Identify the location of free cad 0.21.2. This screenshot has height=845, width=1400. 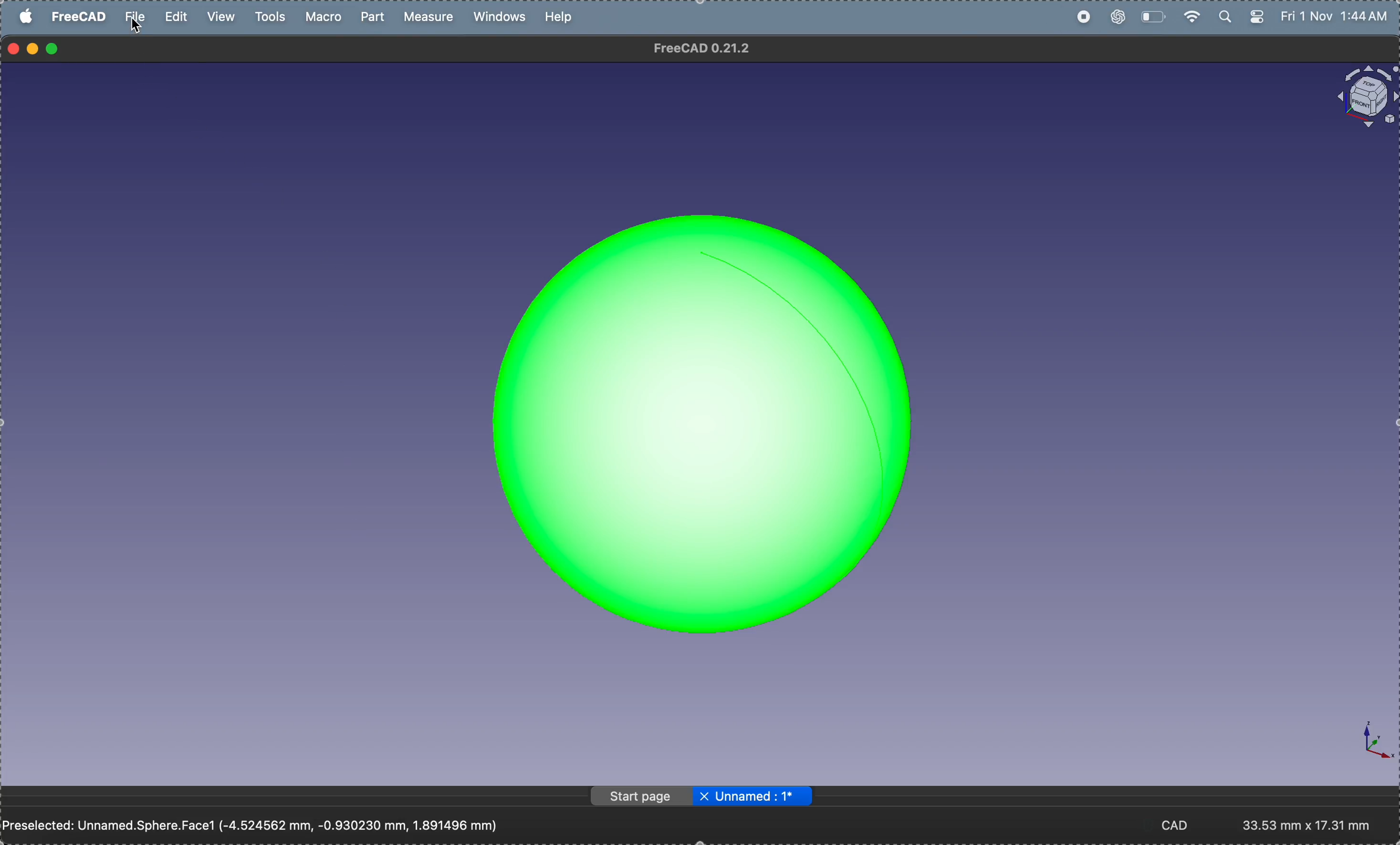
(715, 51).